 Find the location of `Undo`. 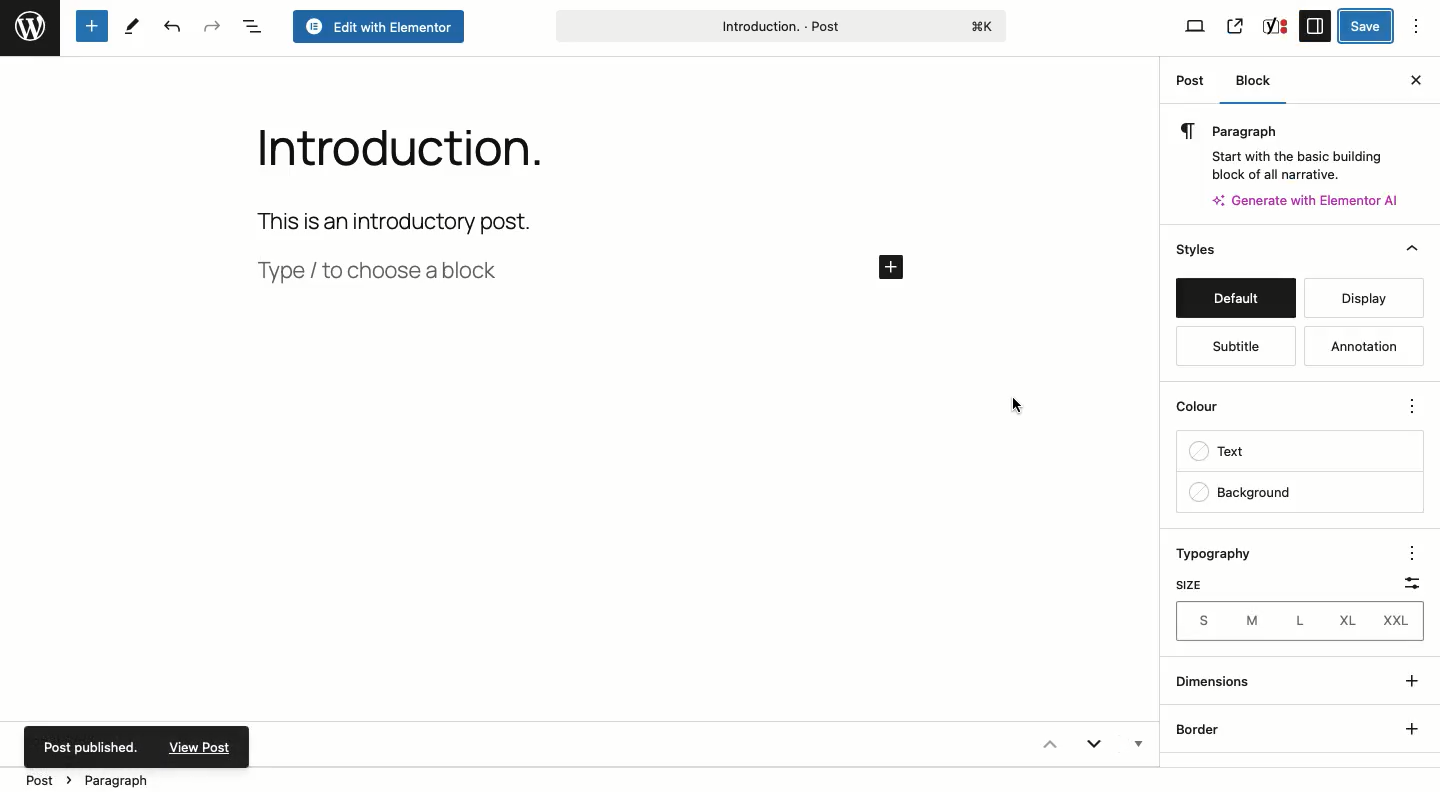

Undo is located at coordinates (170, 28).